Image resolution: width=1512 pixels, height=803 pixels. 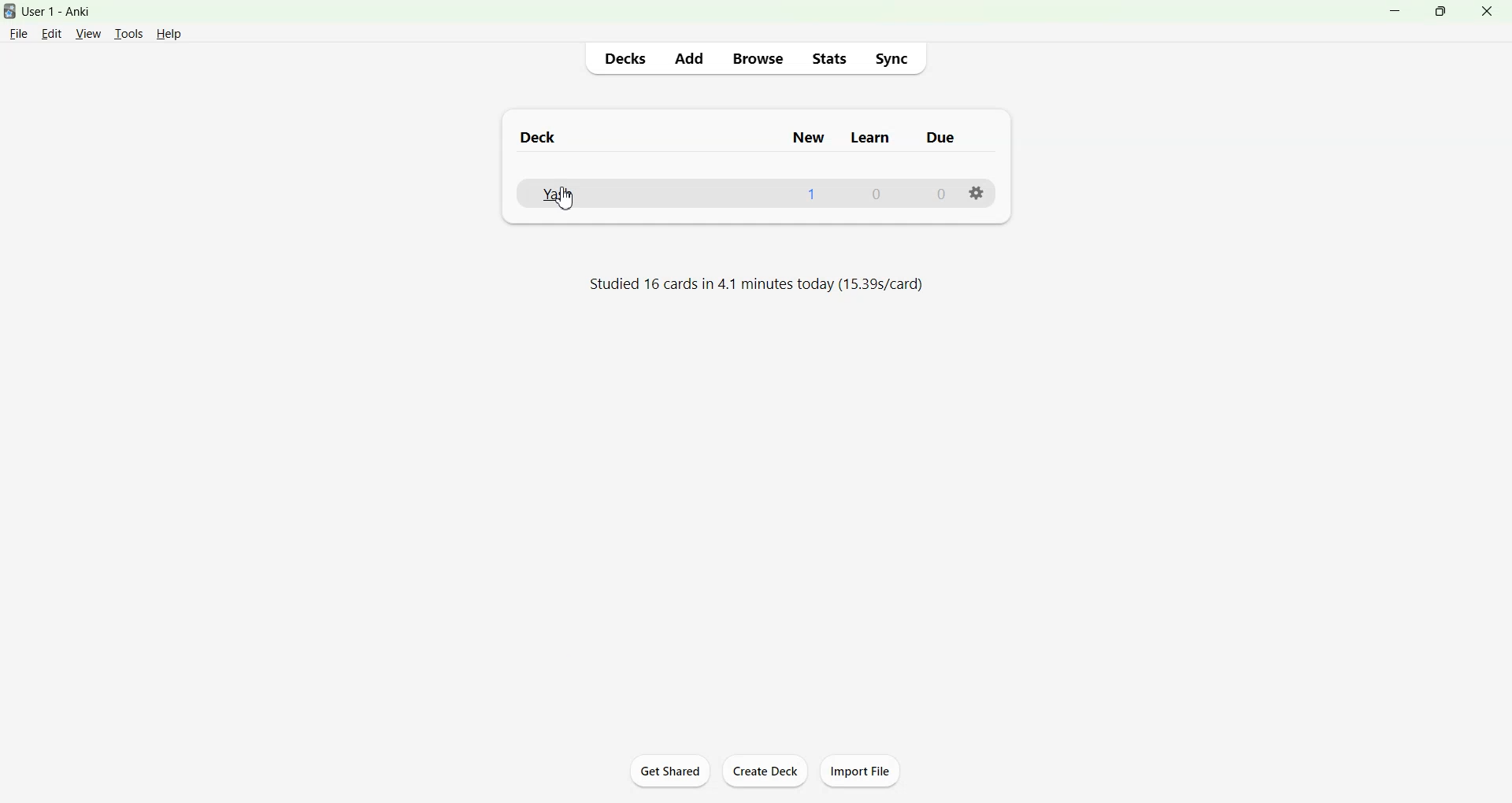 I want to click on Create Desk, so click(x=766, y=770).